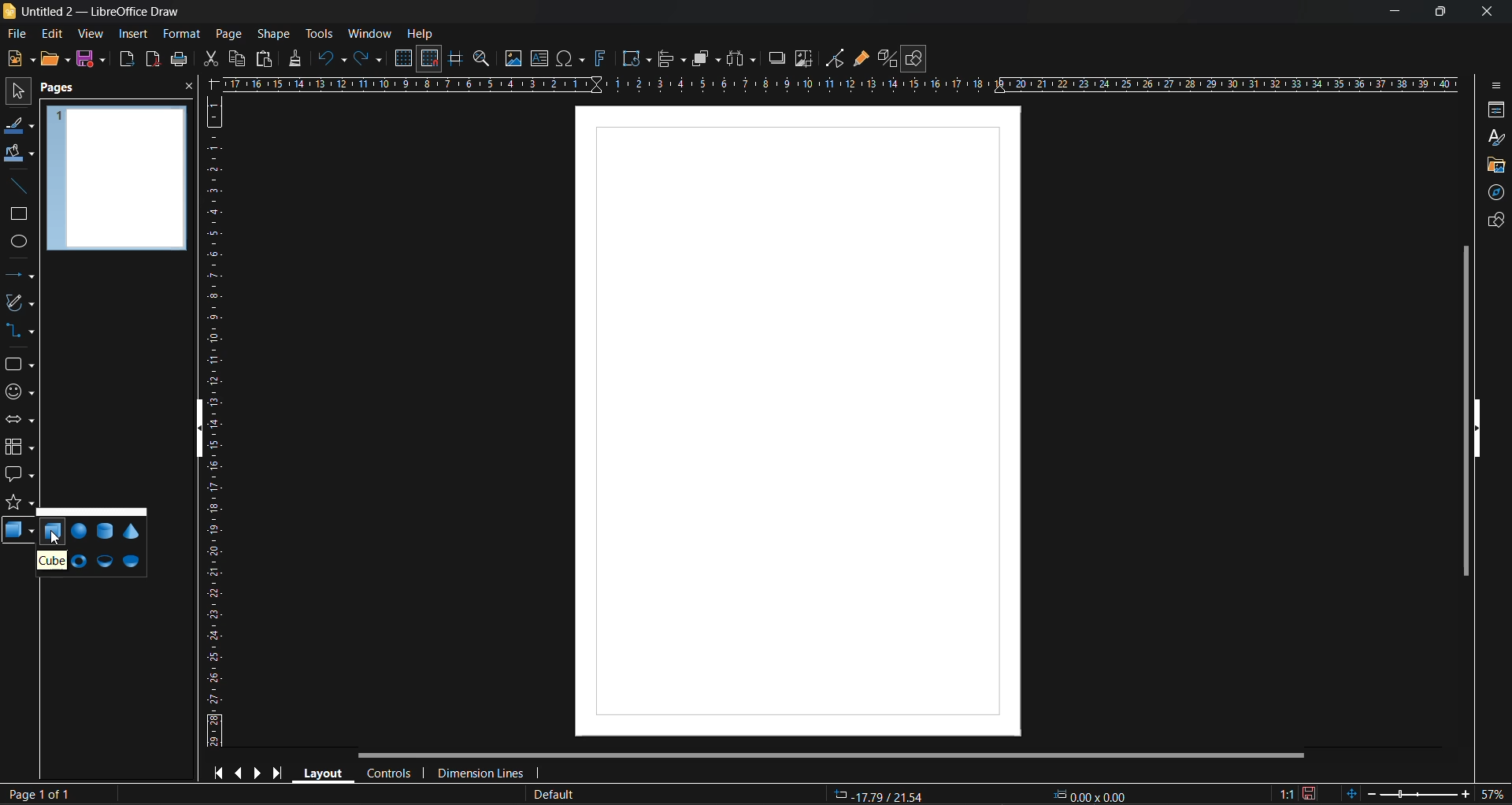 This screenshot has width=1512, height=805. I want to click on block arrows, so click(20, 421).